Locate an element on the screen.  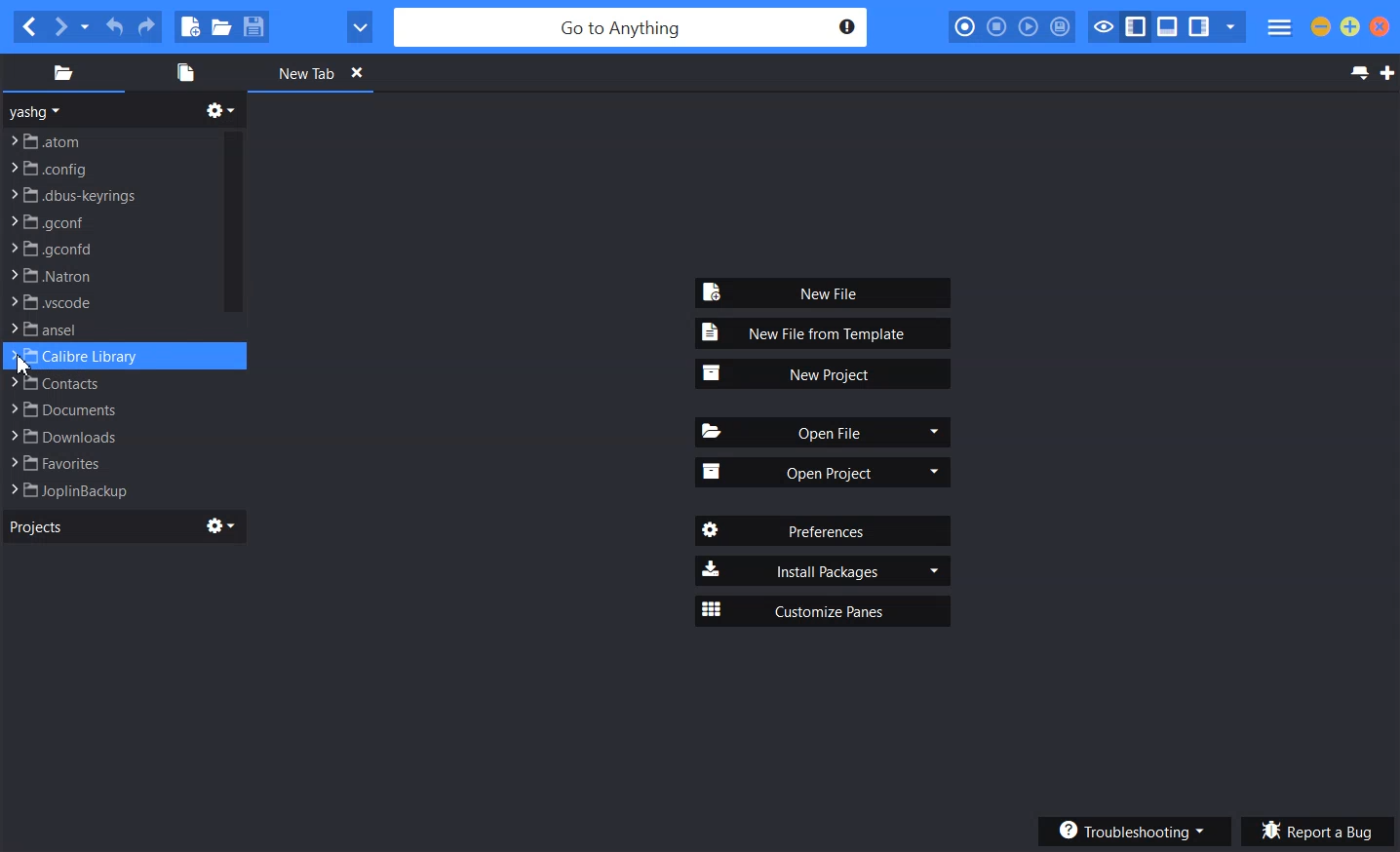
File is located at coordinates (106, 408).